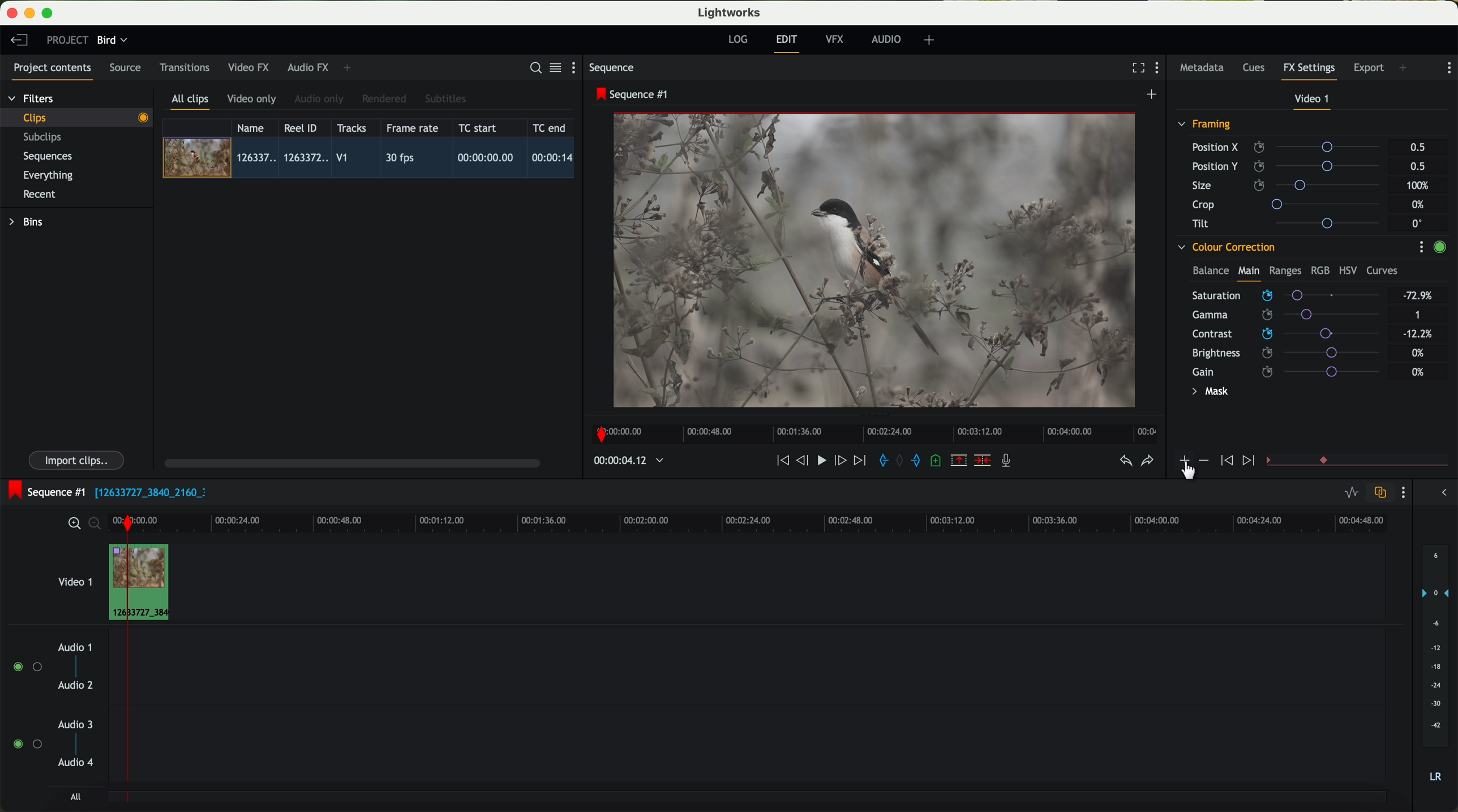  I want to click on recent, so click(40, 196).